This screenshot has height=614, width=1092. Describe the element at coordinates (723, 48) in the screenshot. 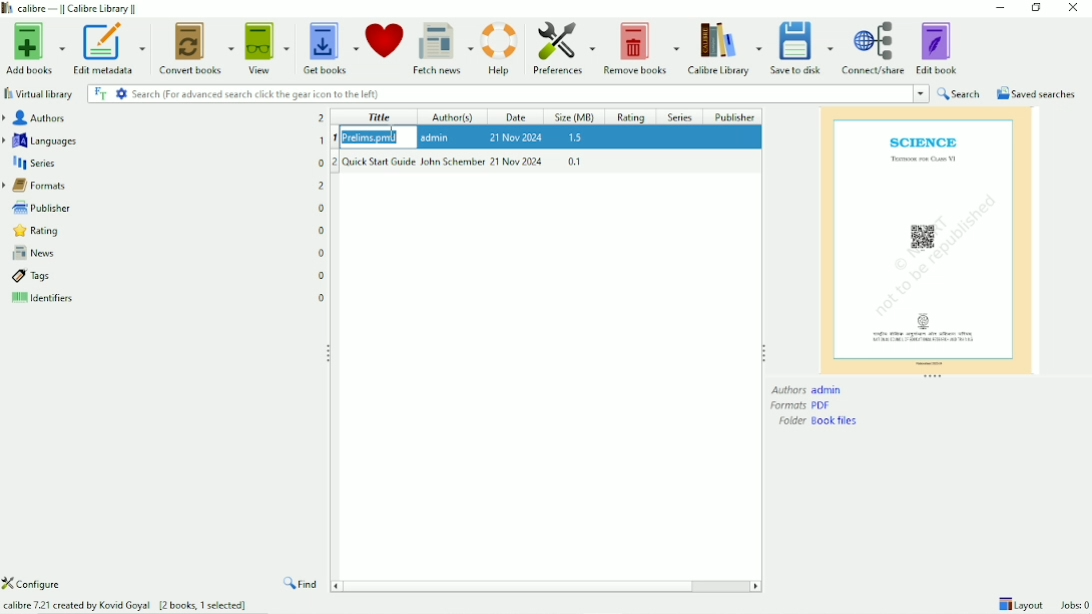

I see `Calibre Library` at that location.